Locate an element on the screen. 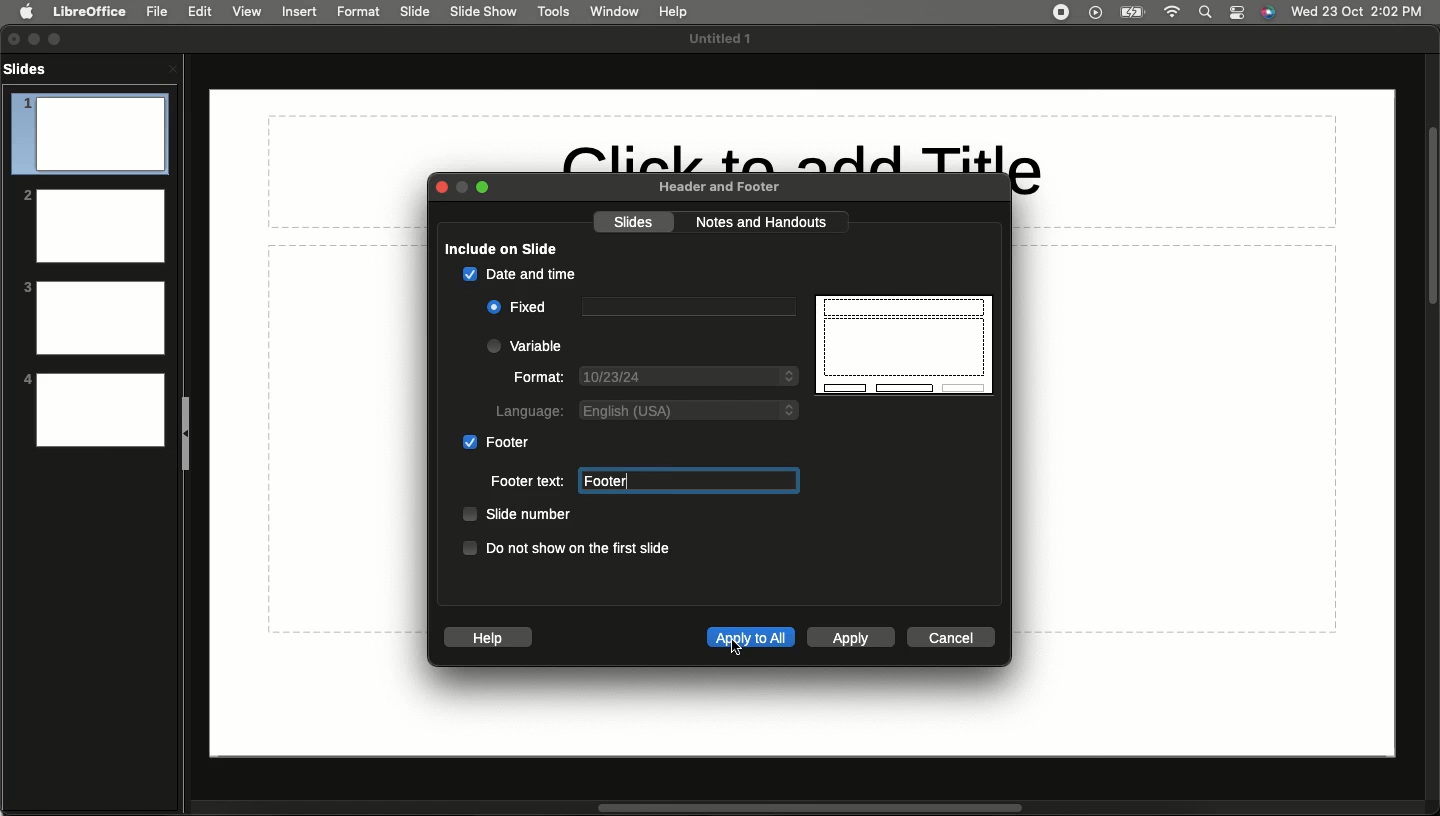 The width and height of the screenshot is (1440, 816). Minimize is located at coordinates (39, 39).